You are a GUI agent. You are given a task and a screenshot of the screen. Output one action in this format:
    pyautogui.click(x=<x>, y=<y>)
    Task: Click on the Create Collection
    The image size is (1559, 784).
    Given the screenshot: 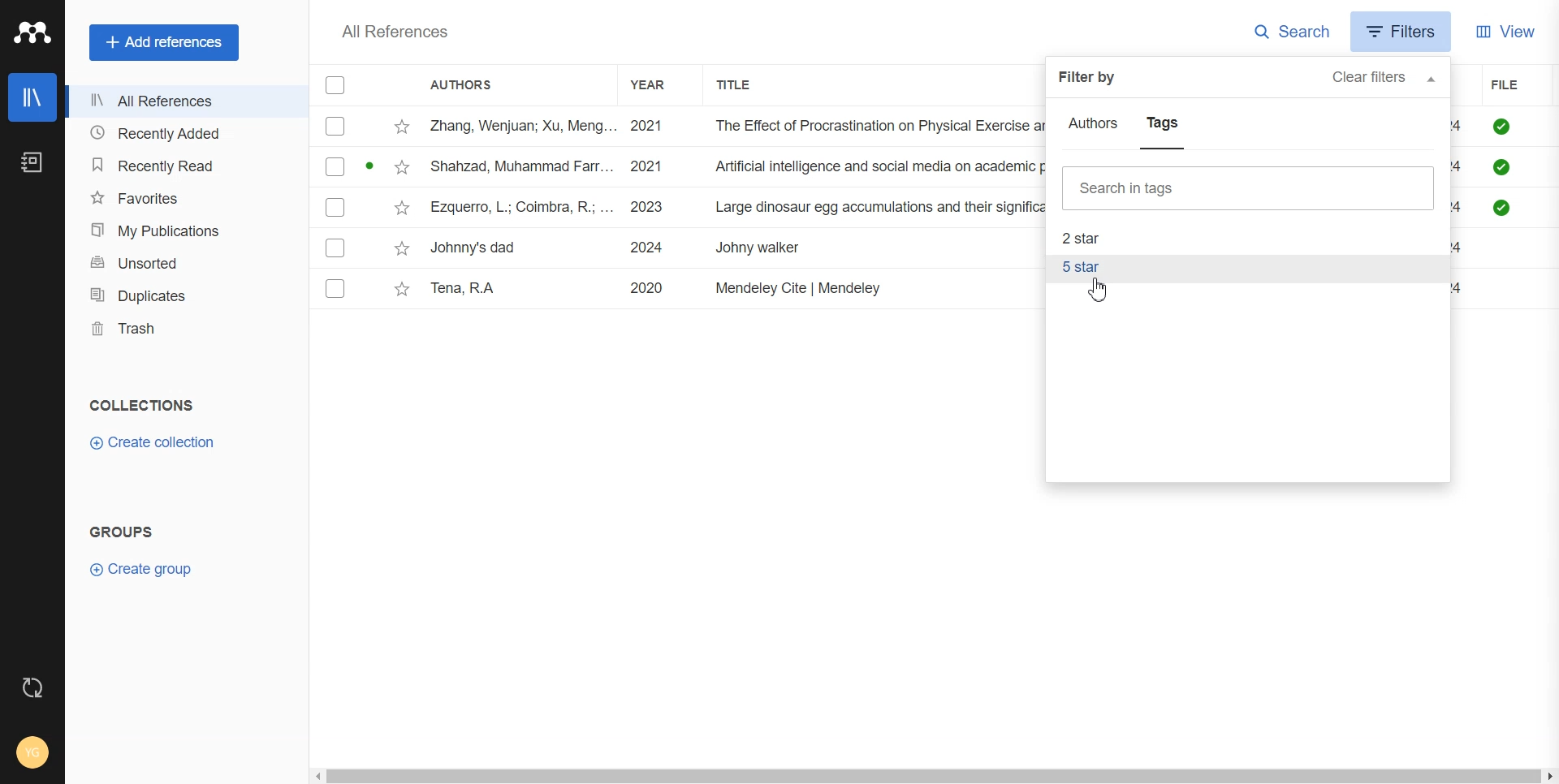 What is the action you would take?
    pyautogui.click(x=154, y=443)
    